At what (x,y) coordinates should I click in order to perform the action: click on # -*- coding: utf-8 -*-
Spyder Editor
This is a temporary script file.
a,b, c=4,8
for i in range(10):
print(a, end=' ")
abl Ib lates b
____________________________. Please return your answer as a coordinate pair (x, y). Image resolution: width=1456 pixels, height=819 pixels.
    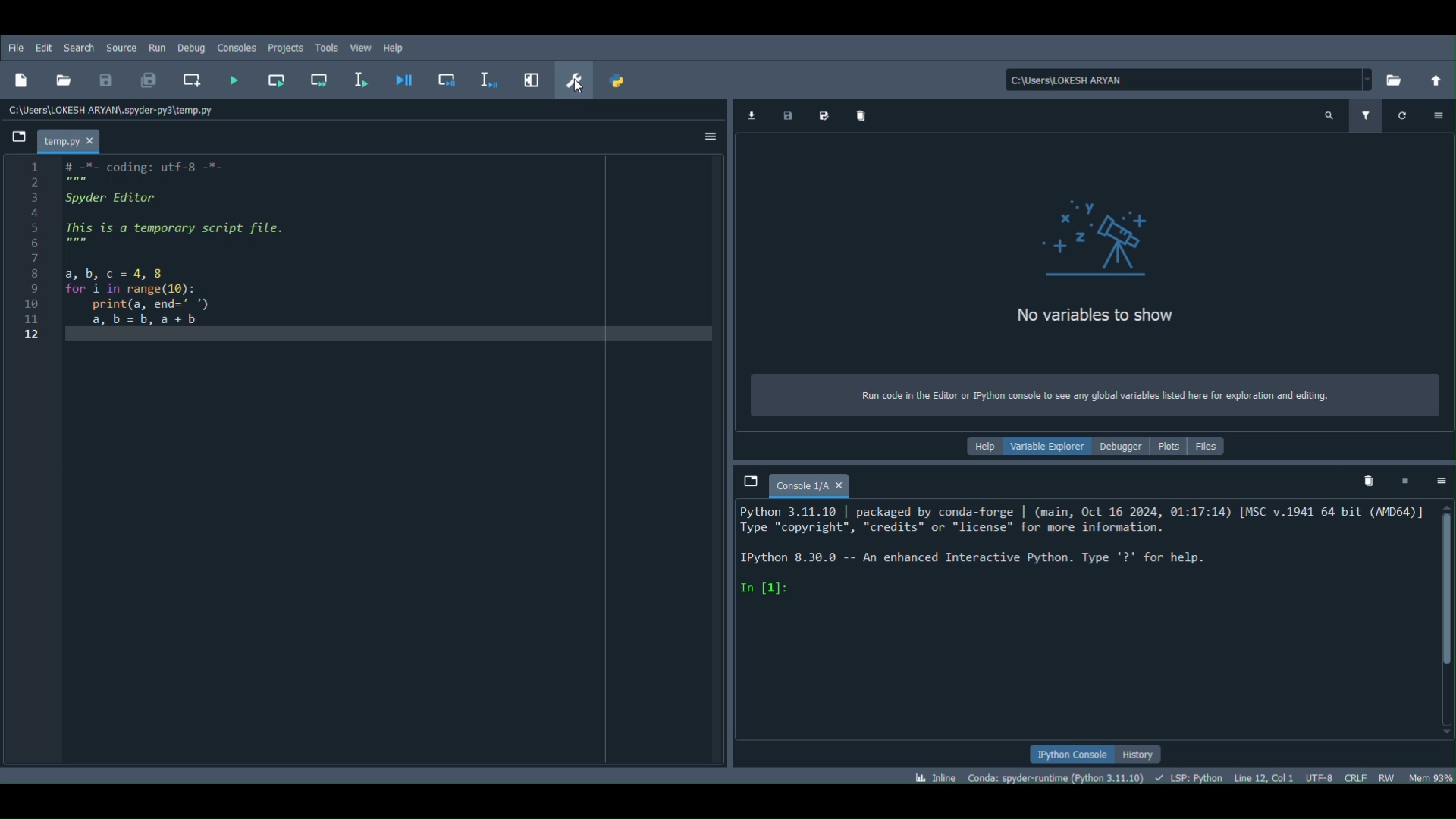
    Looking at the image, I should click on (219, 253).